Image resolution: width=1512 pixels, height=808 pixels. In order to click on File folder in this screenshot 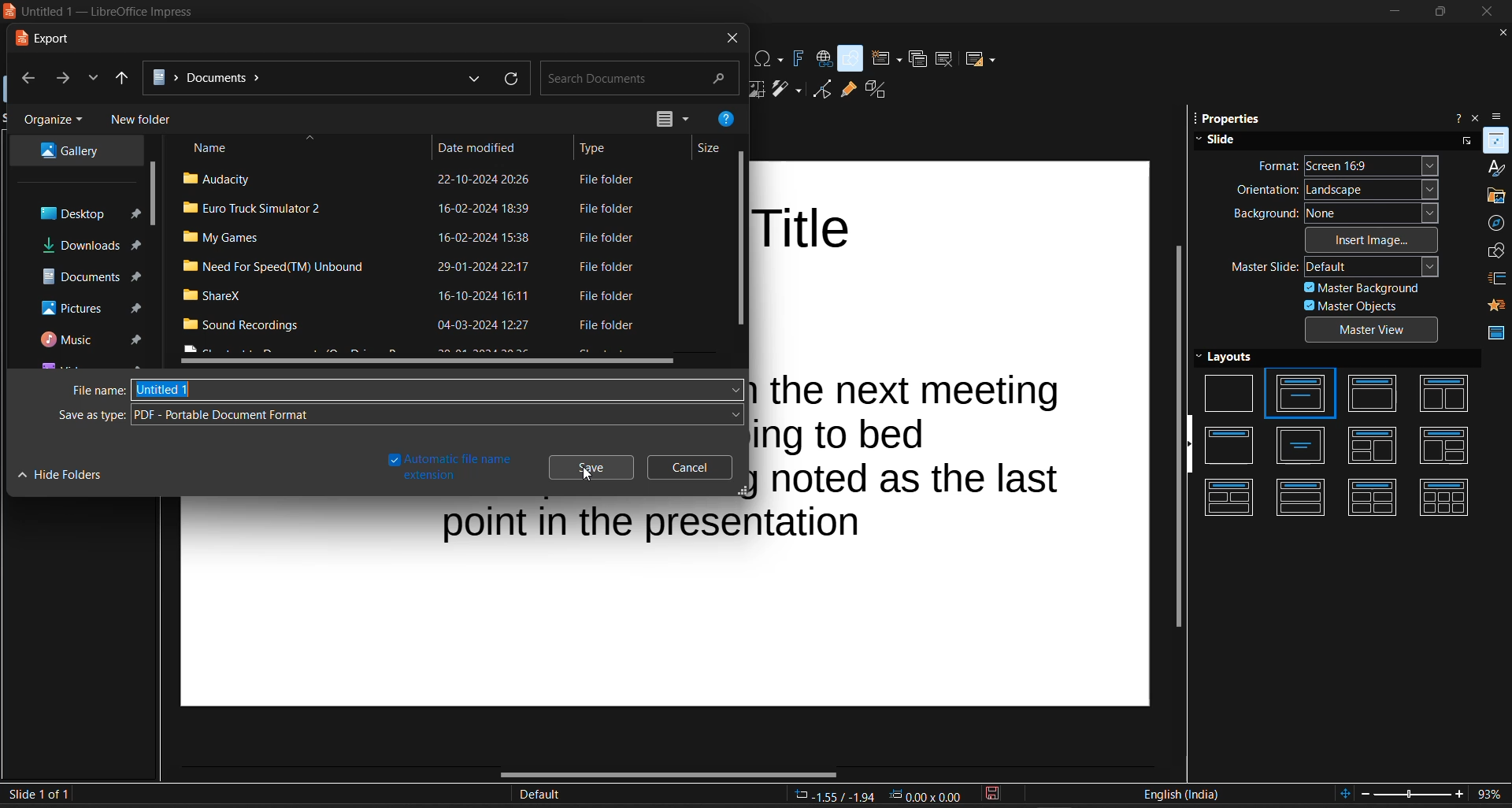, I will do `click(607, 238)`.